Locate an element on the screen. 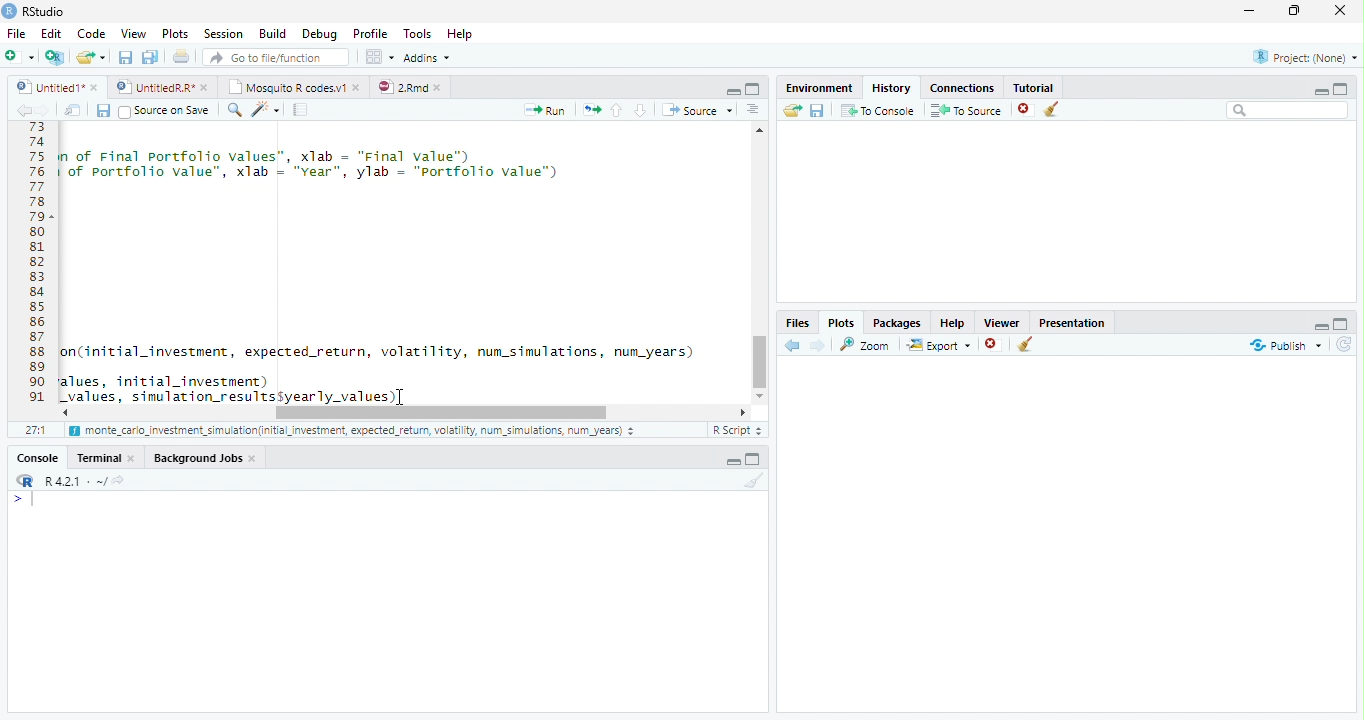 This screenshot has width=1364, height=720. File is located at coordinates (15, 33).